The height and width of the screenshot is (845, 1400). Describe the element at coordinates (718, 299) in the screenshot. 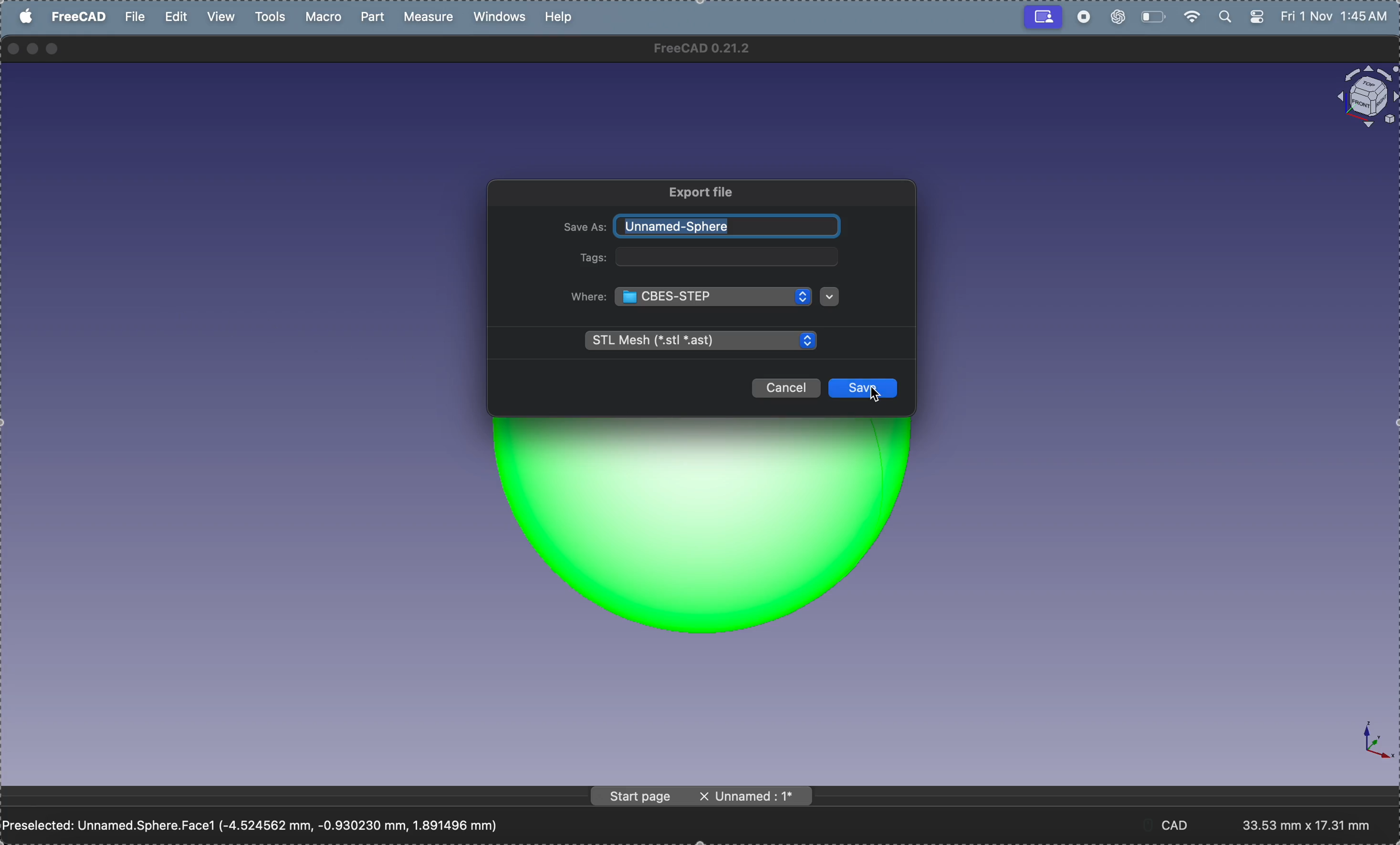

I see `CBES-STEP` at that location.